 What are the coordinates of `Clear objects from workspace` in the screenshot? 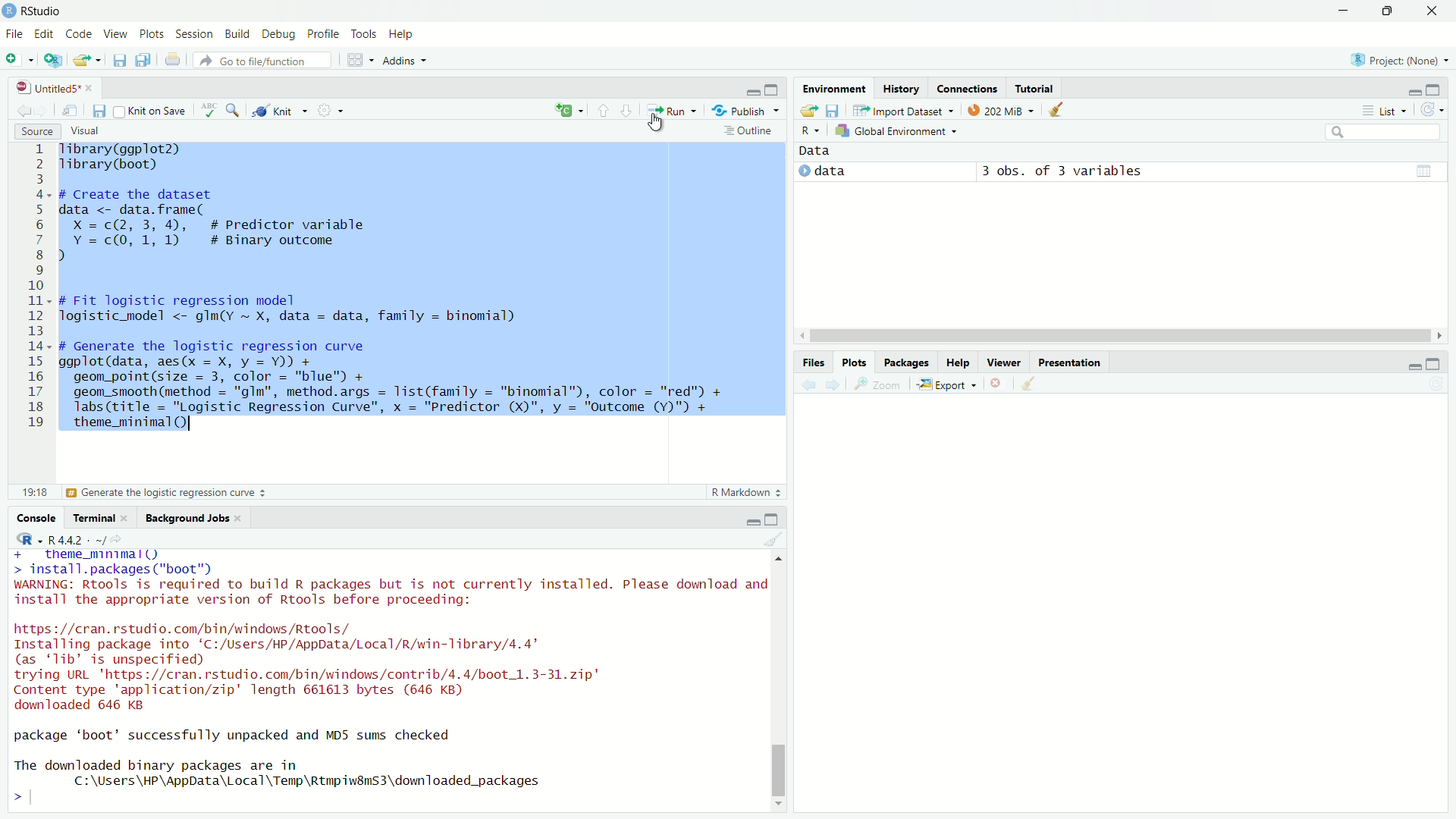 It's located at (1058, 109).